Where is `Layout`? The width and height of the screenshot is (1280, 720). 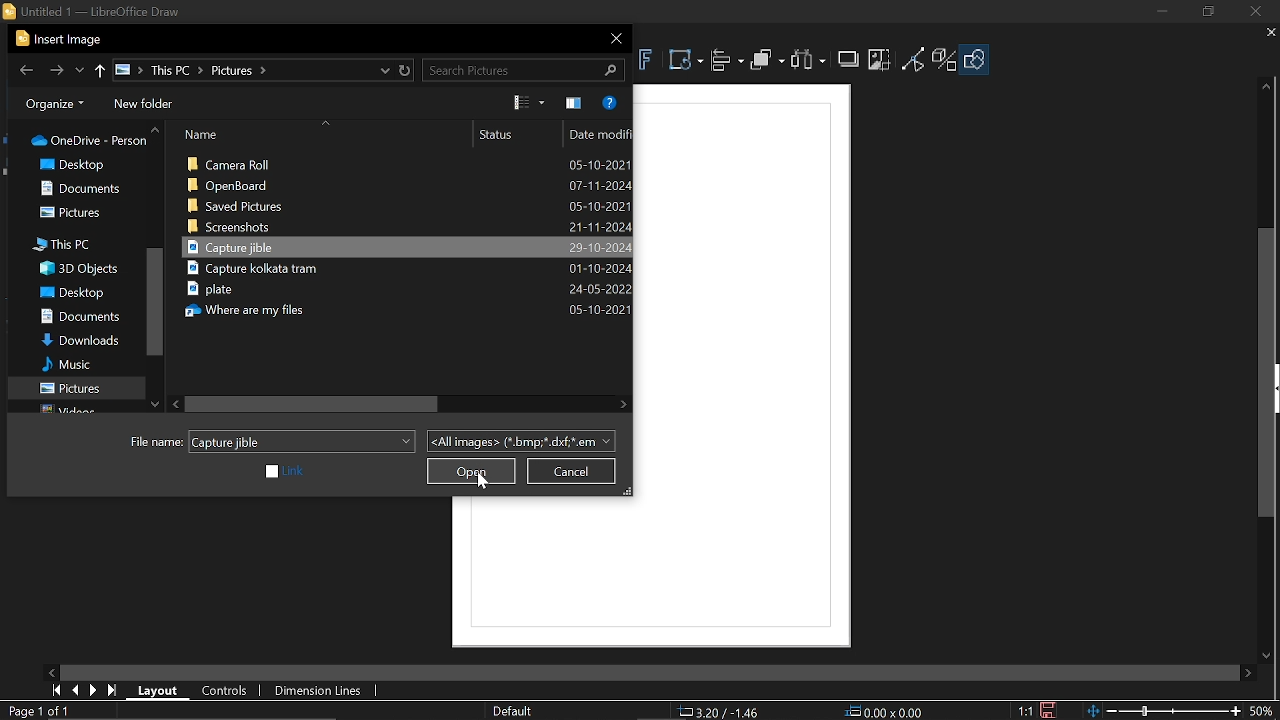 Layout is located at coordinates (157, 690).